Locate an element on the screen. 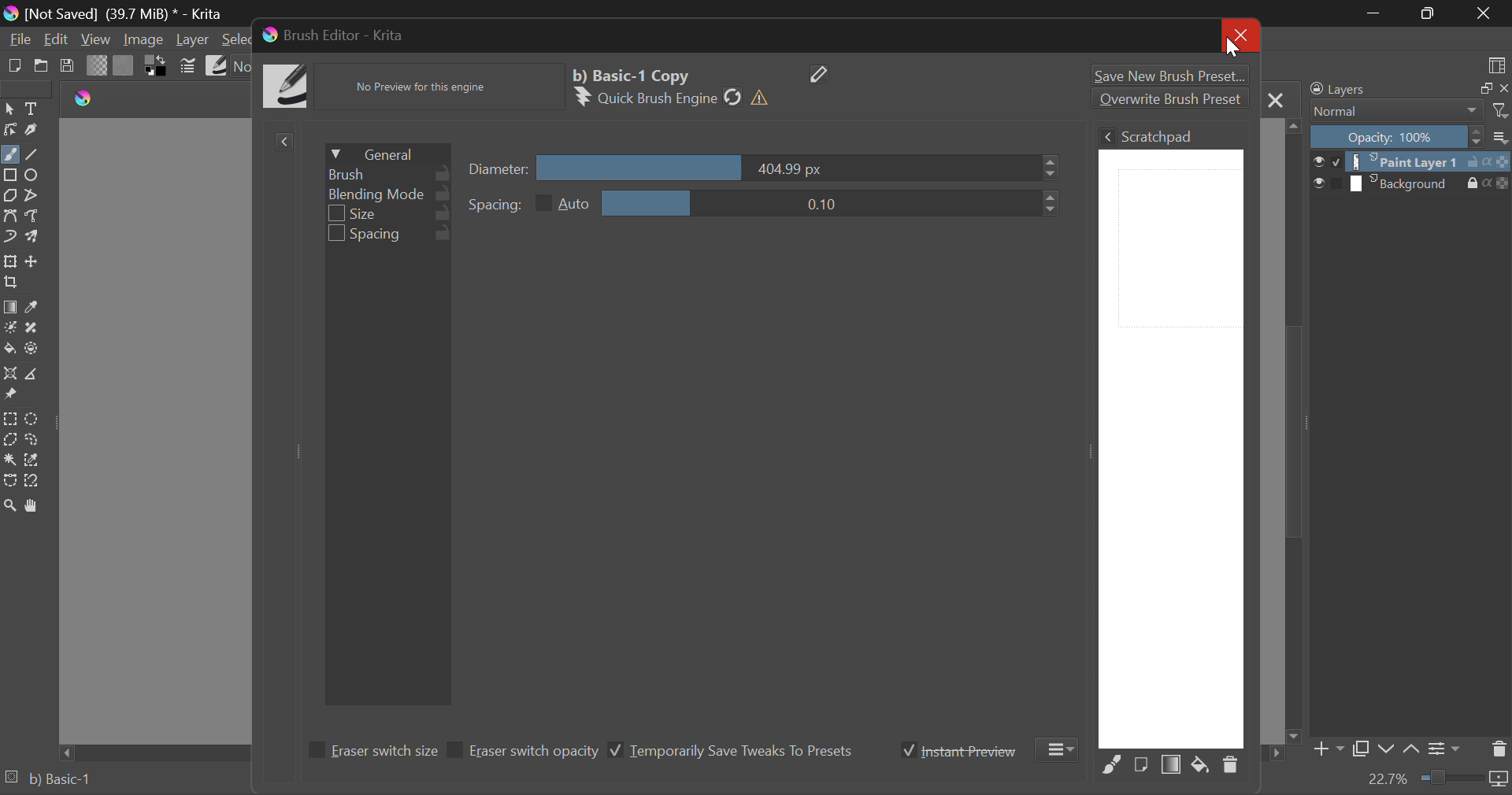 This screenshot has width=1512, height=795. choose workspace is located at coordinates (1494, 63).